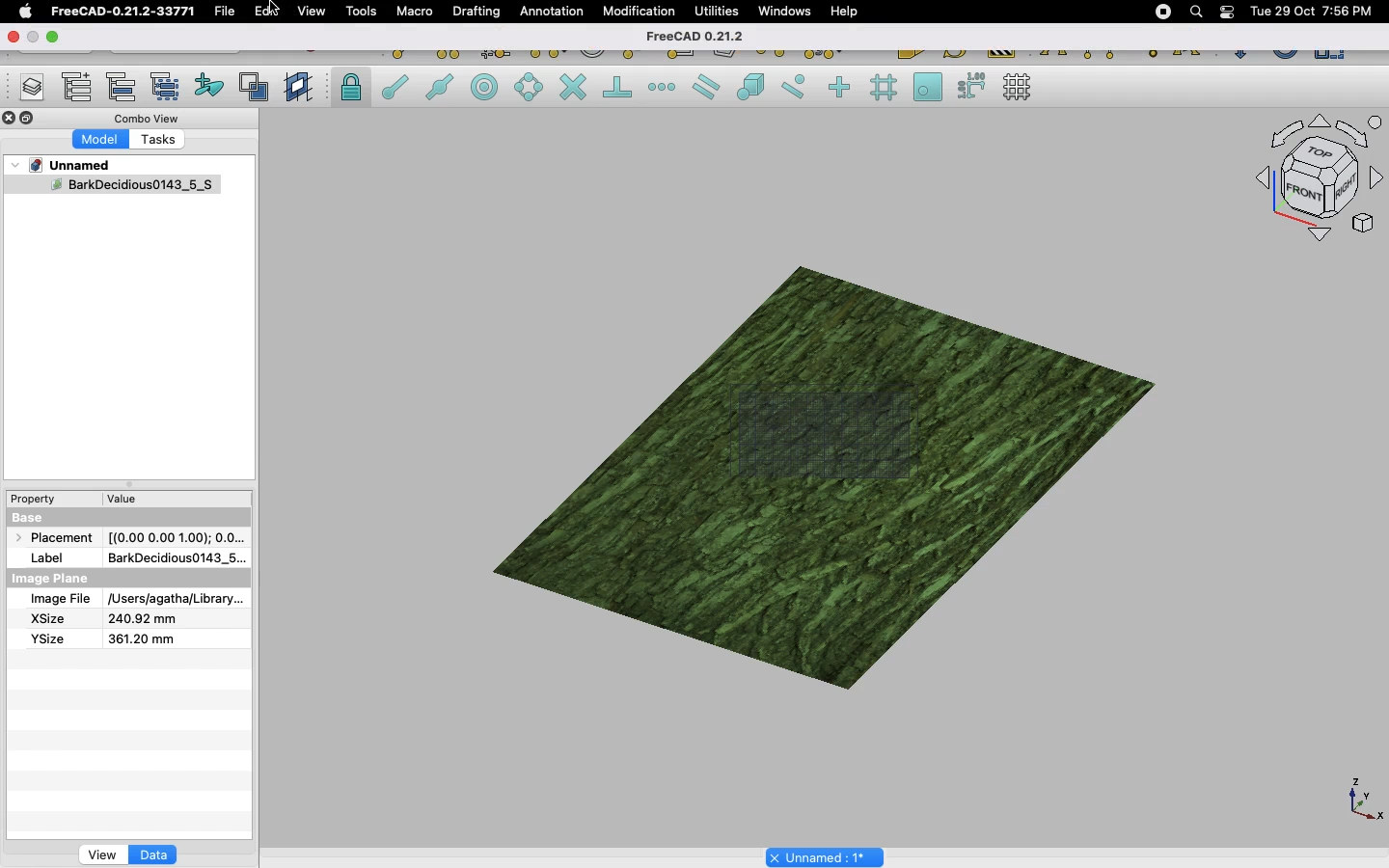 This screenshot has height=868, width=1389. What do you see at coordinates (71, 165) in the screenshot?
I see `Project` at bounding box center [71, 165].